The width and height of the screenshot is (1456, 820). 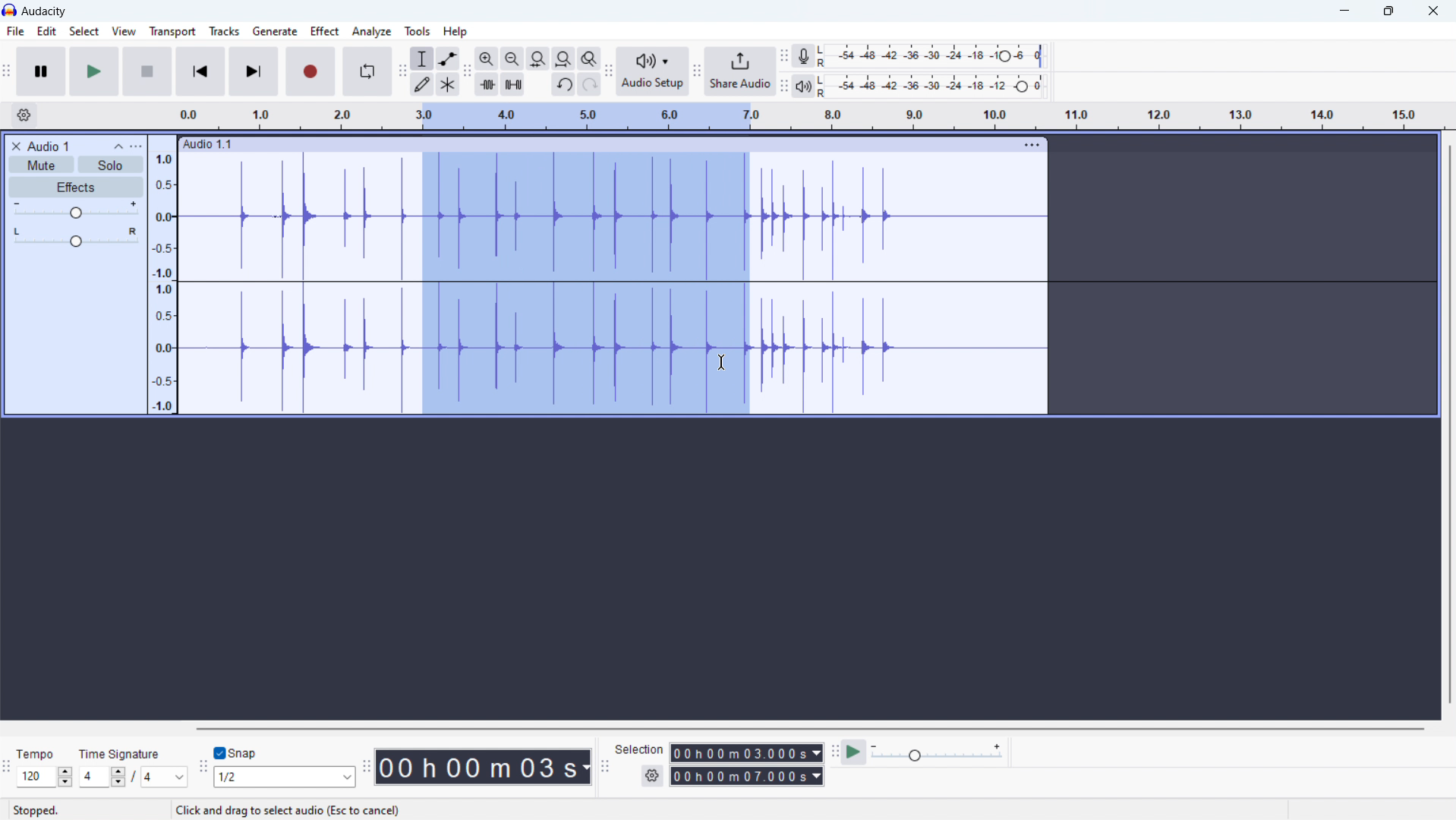 What do you see at coordinates (41, 72) in the screenshot?
I see `pause` at bounding box center [41, 72].